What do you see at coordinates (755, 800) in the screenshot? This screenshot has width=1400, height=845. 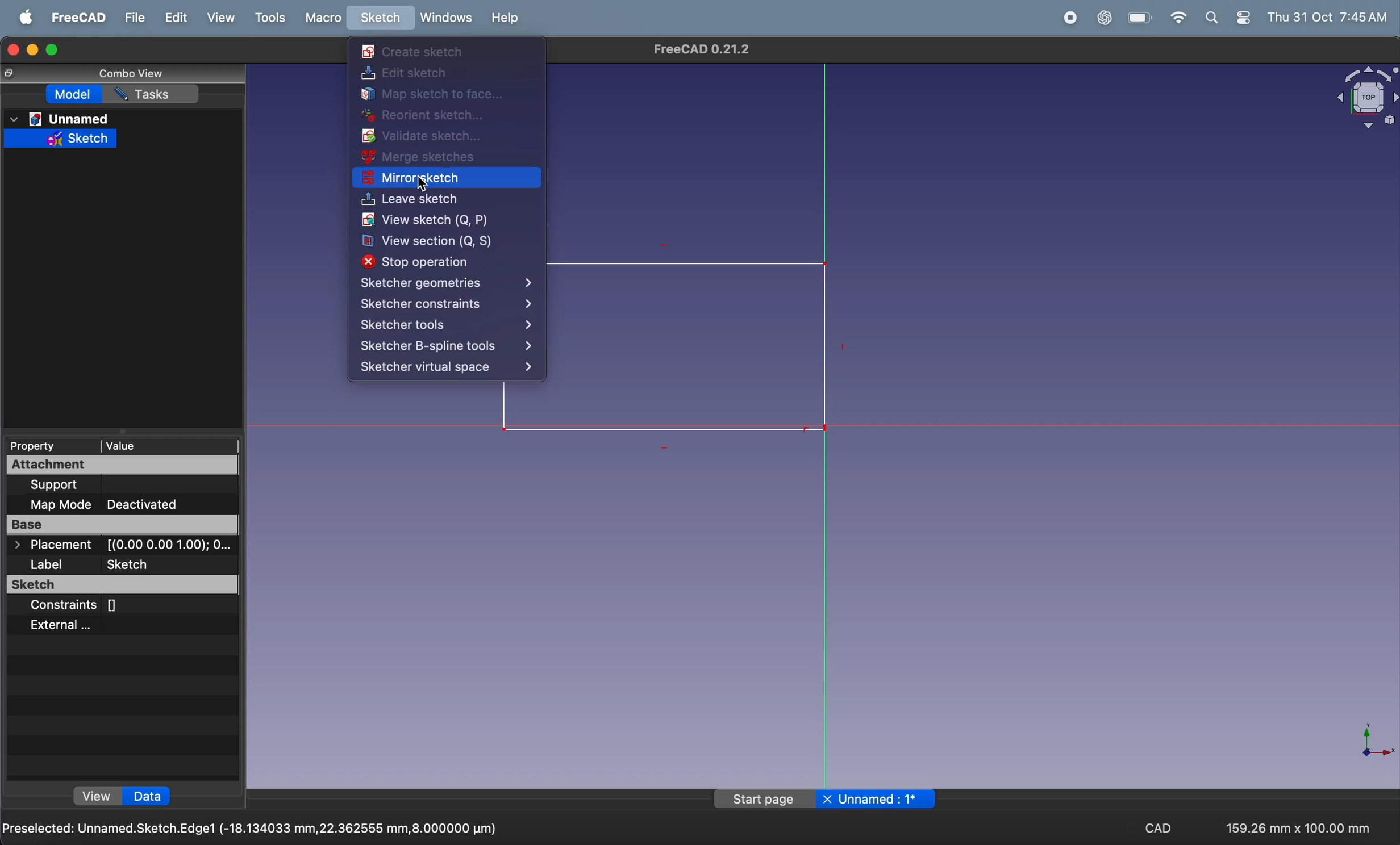 I see `start page` at bounding box center [755, 800].